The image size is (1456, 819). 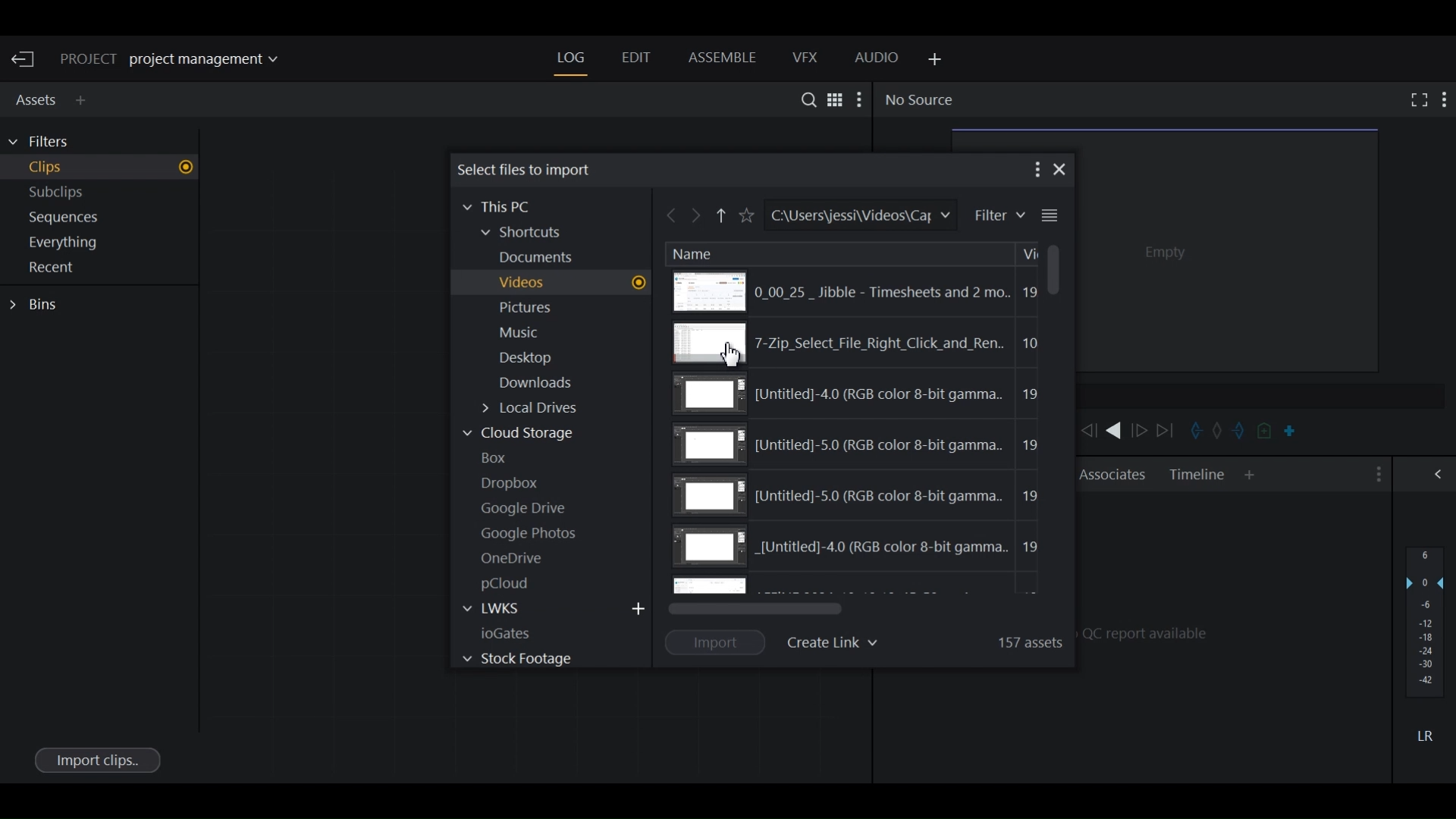 I want to click on Search in assets and Bins, so click(x=805, y=99).